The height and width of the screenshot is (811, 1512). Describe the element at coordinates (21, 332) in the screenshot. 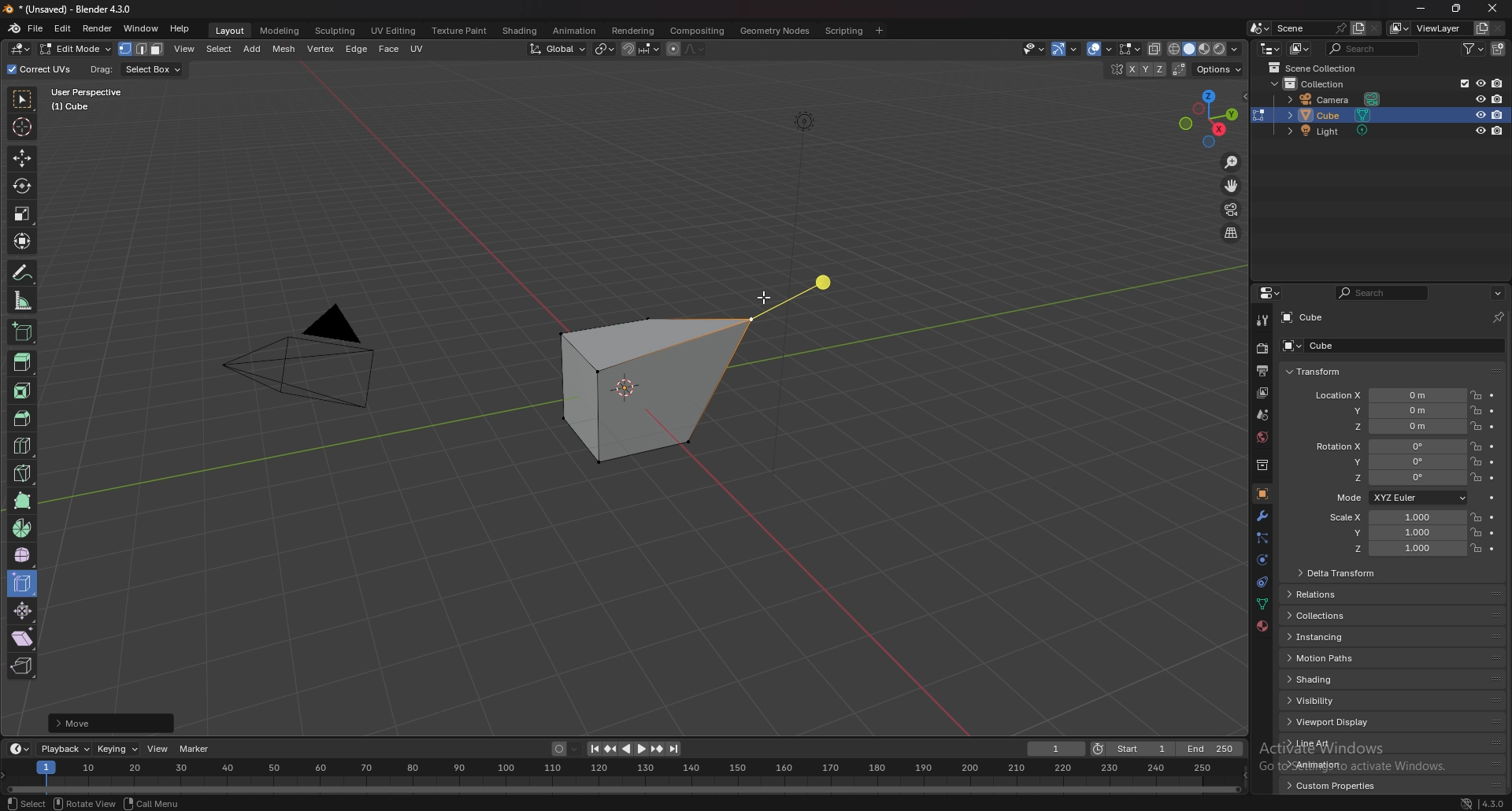

I see `add cube` at that location.